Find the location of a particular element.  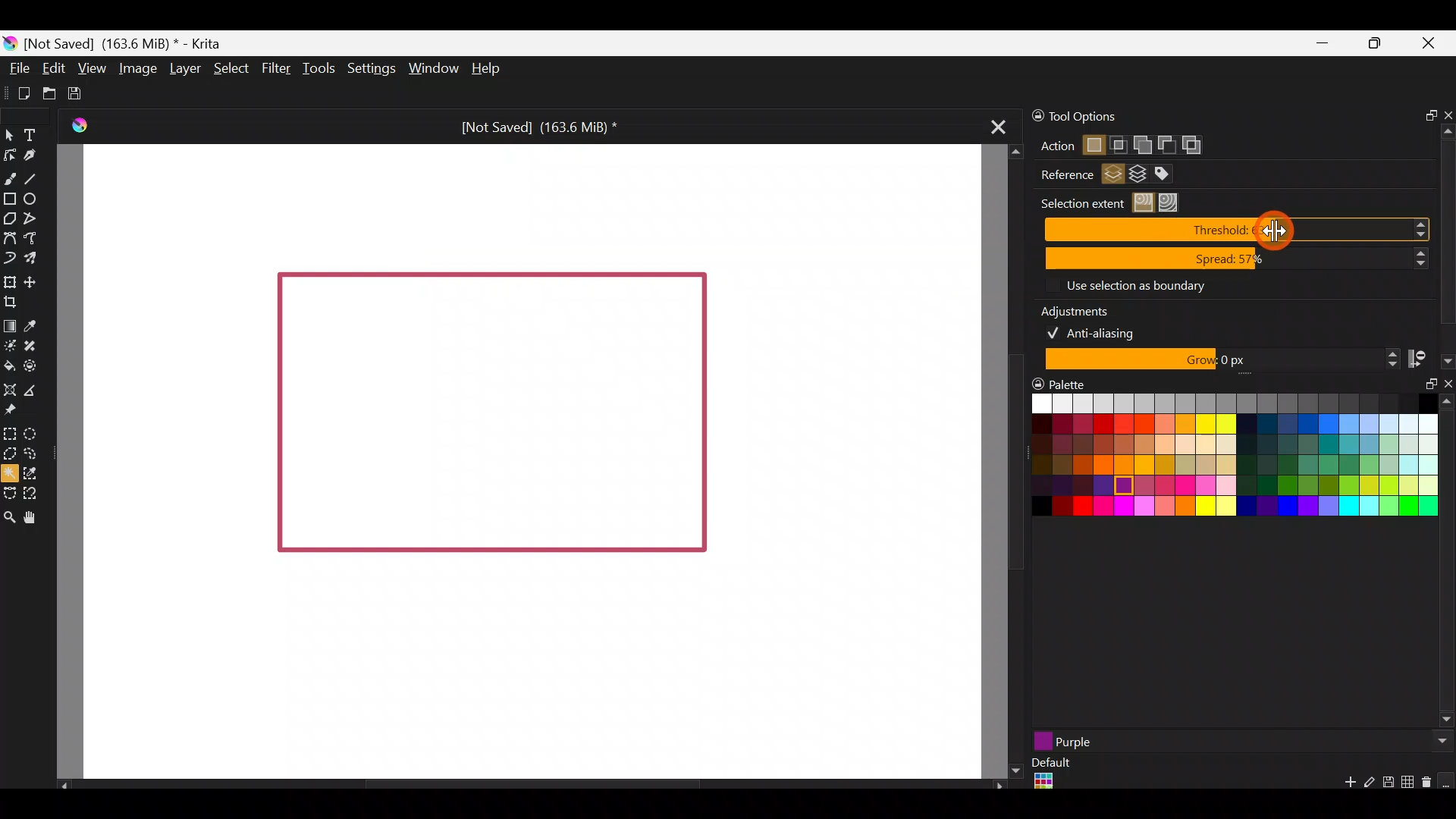

Save palette explicitly is located at coordinates (1387, 783).